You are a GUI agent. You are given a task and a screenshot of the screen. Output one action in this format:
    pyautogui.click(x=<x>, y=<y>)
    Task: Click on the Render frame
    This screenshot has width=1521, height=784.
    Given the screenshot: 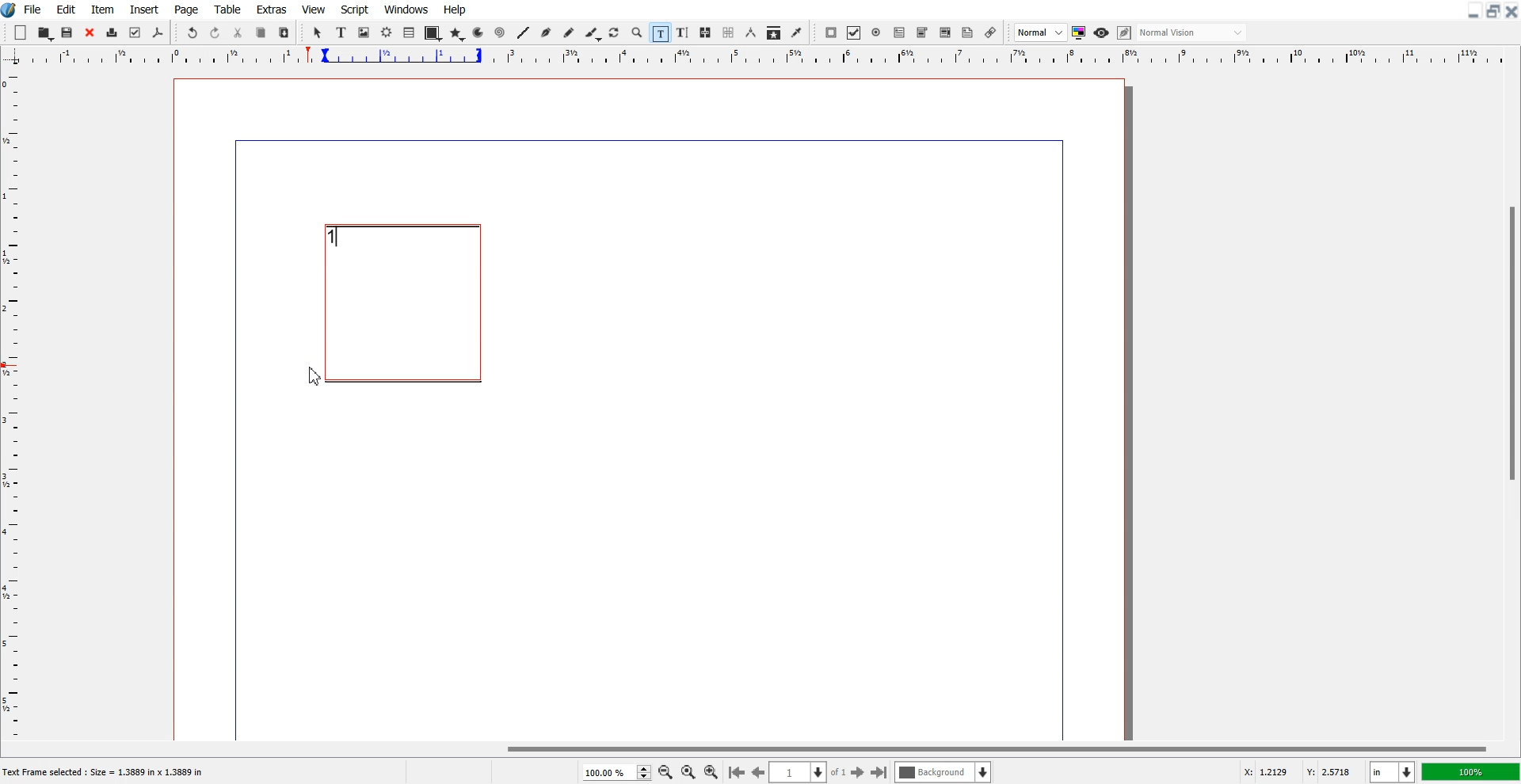 What is the action you would take?
    pyautogui.click(x=387, y=32)
    